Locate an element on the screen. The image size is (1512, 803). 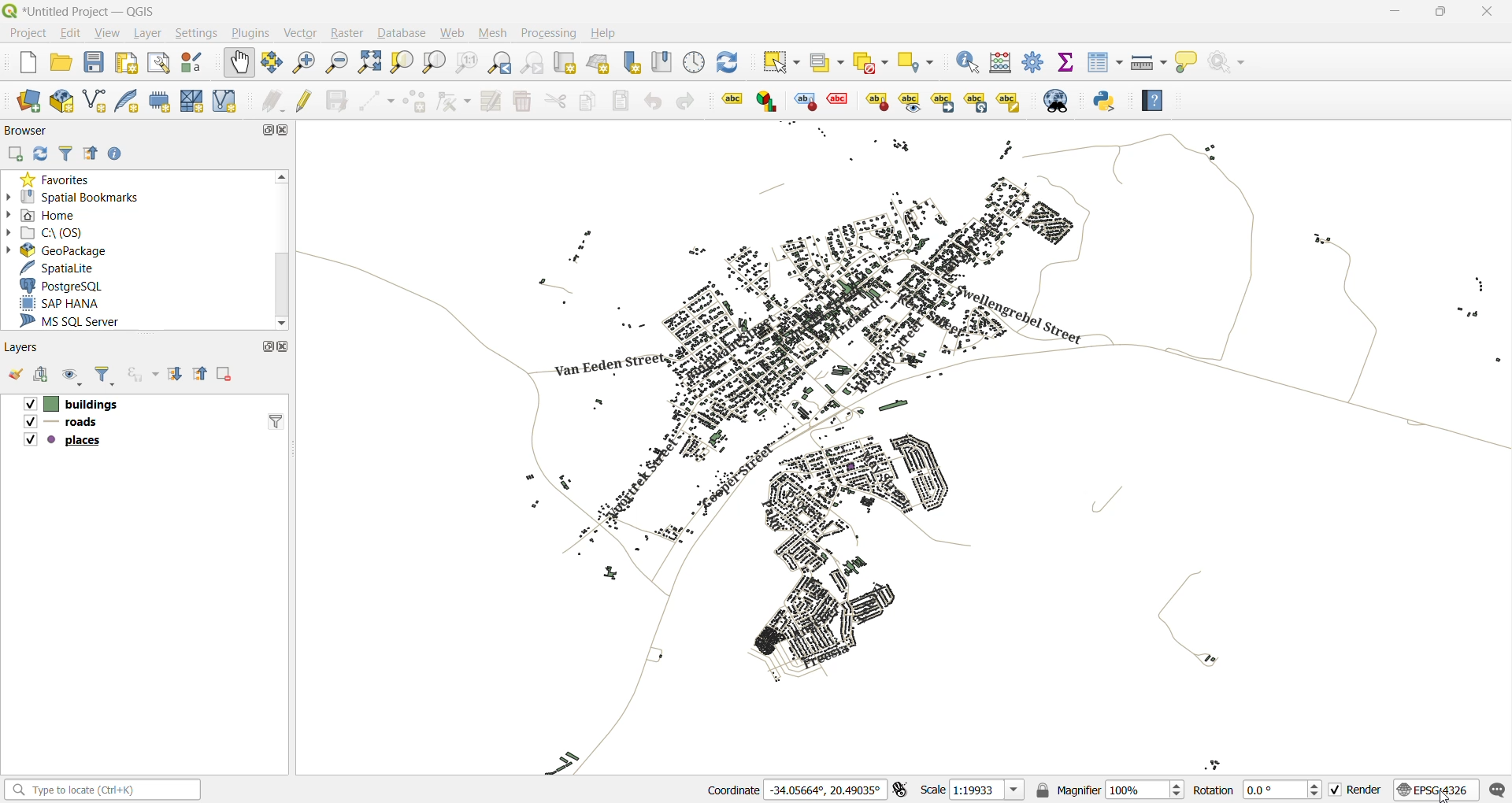
postgresql is located at coordinates (66, 287).